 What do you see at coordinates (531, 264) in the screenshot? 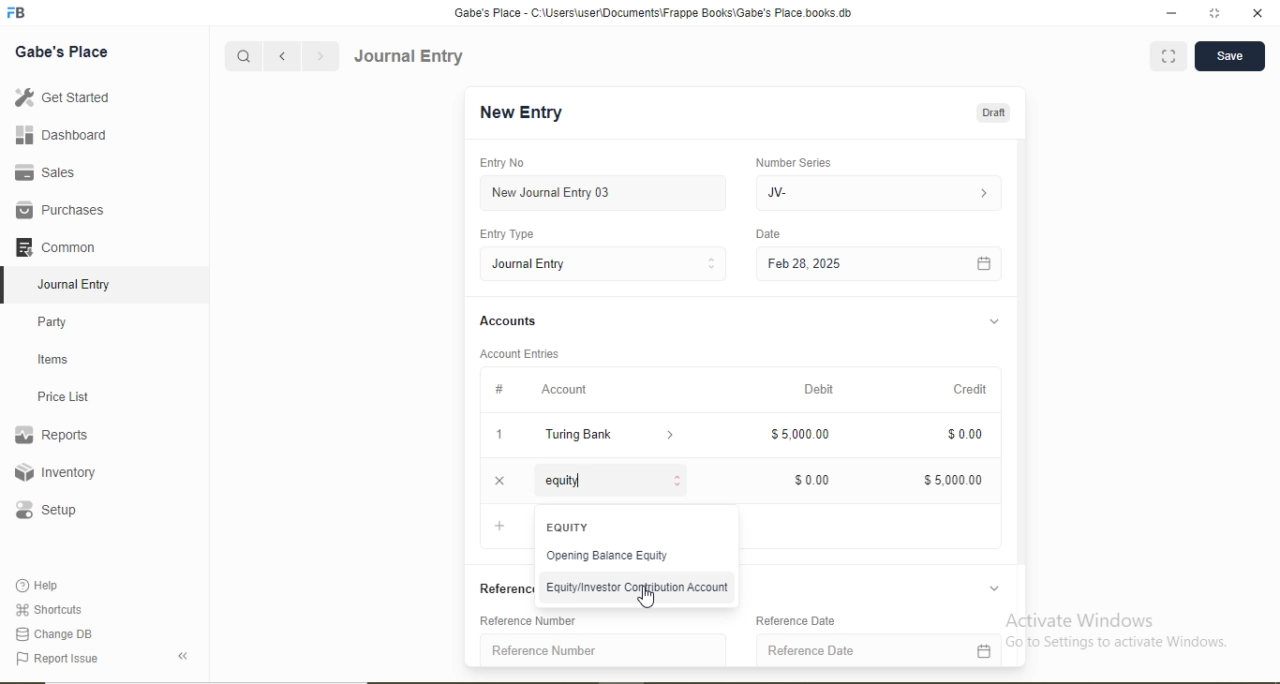
I see `Journal Entry` at bounding box center [531, 264].